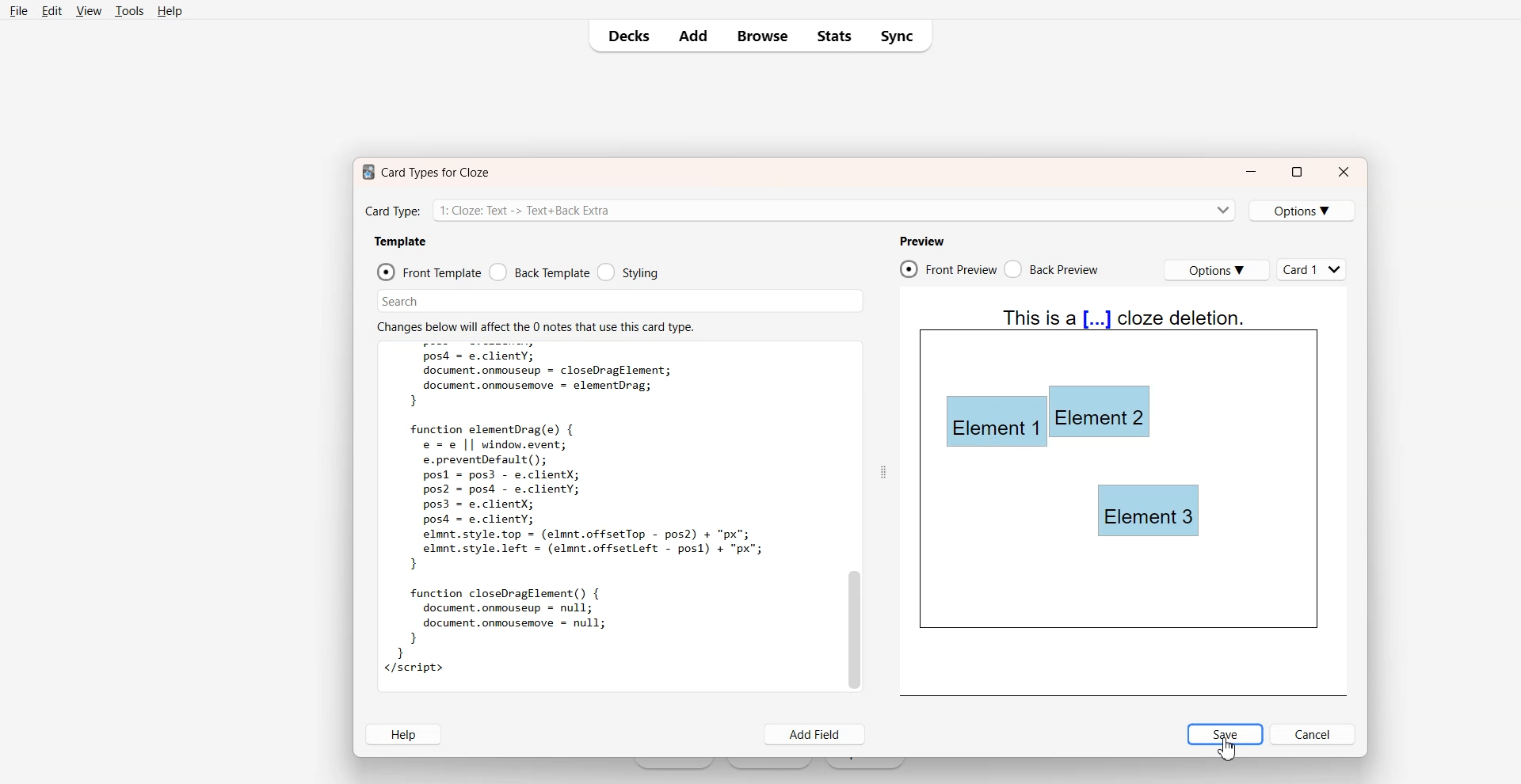 The width and height of the screenshot is (1521, 784). What do you see at coordinates (1344, 172) in the screenshot?
I see `Close` at bounding box center [1344, 172].